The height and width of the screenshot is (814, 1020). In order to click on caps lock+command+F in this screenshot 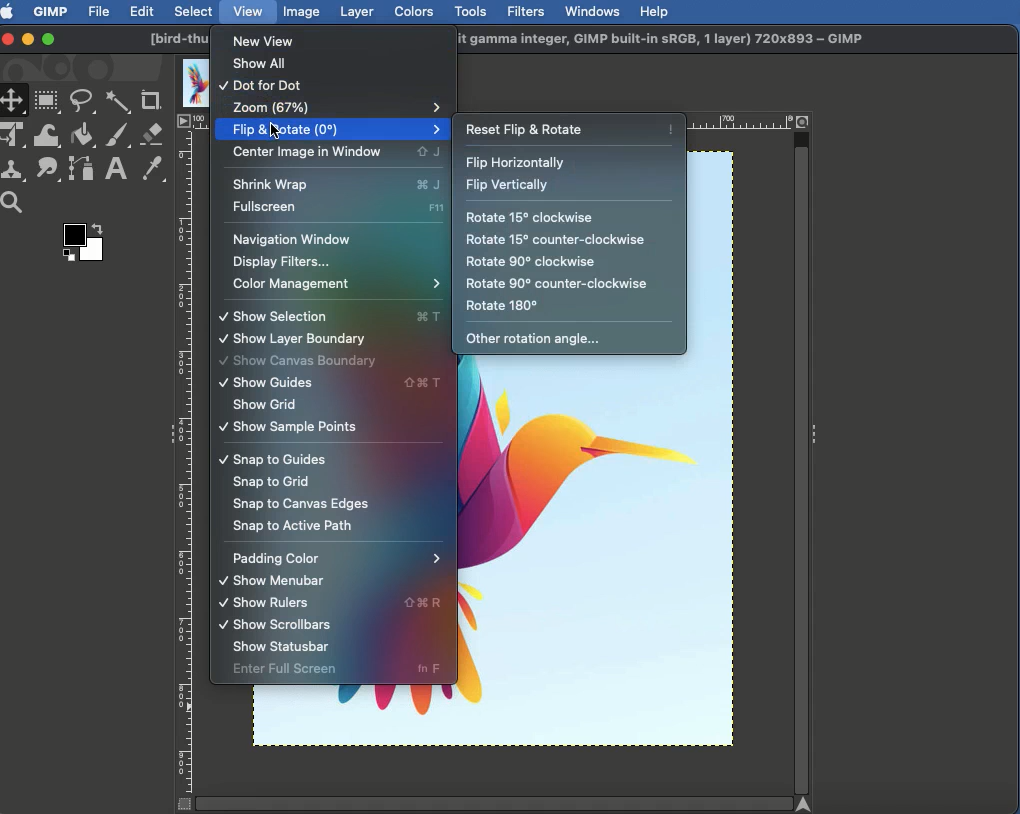, I will do `click(426, 604)`.